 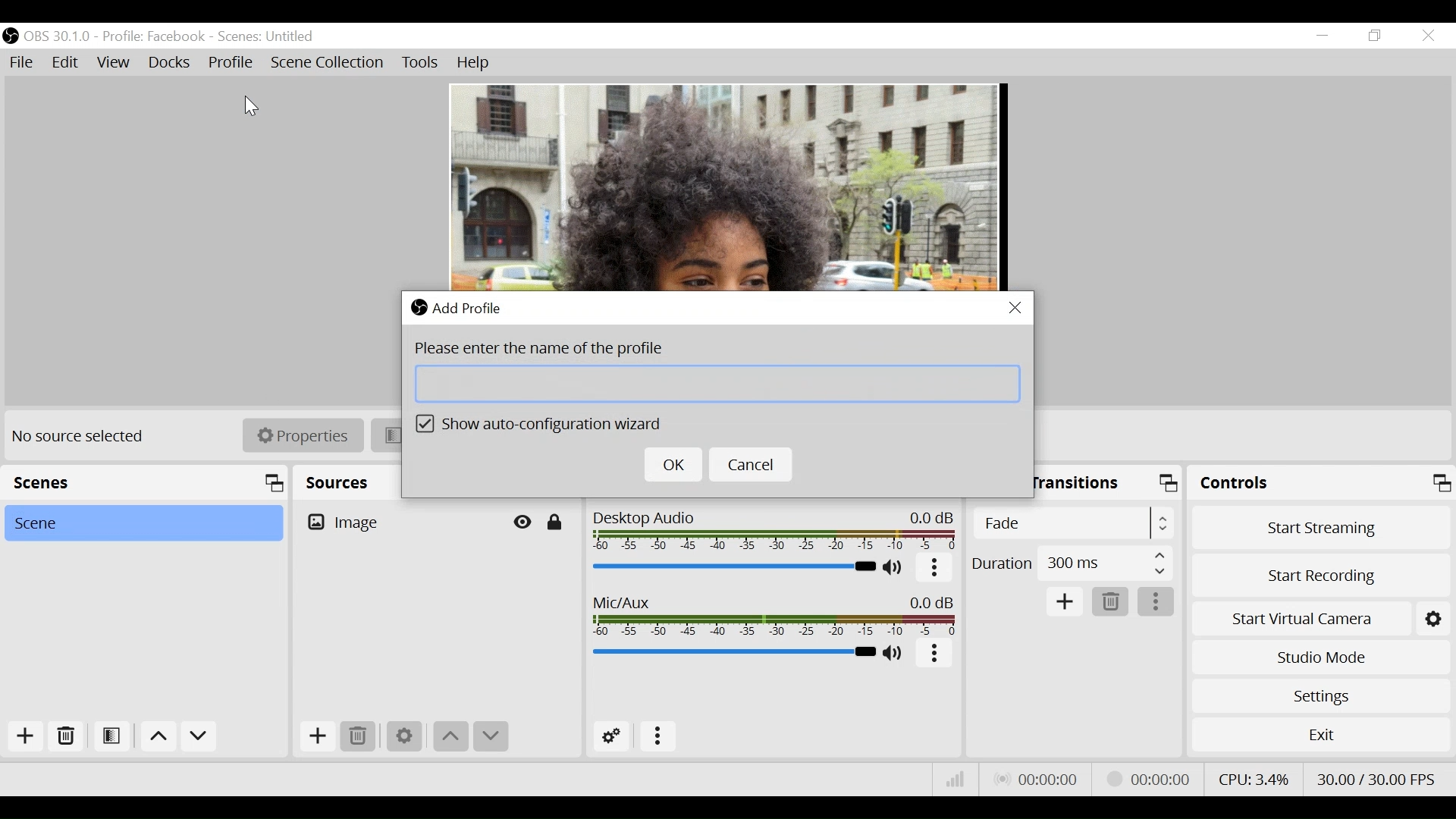 I want to click on (Un)lock, so click(x=554, y=522).